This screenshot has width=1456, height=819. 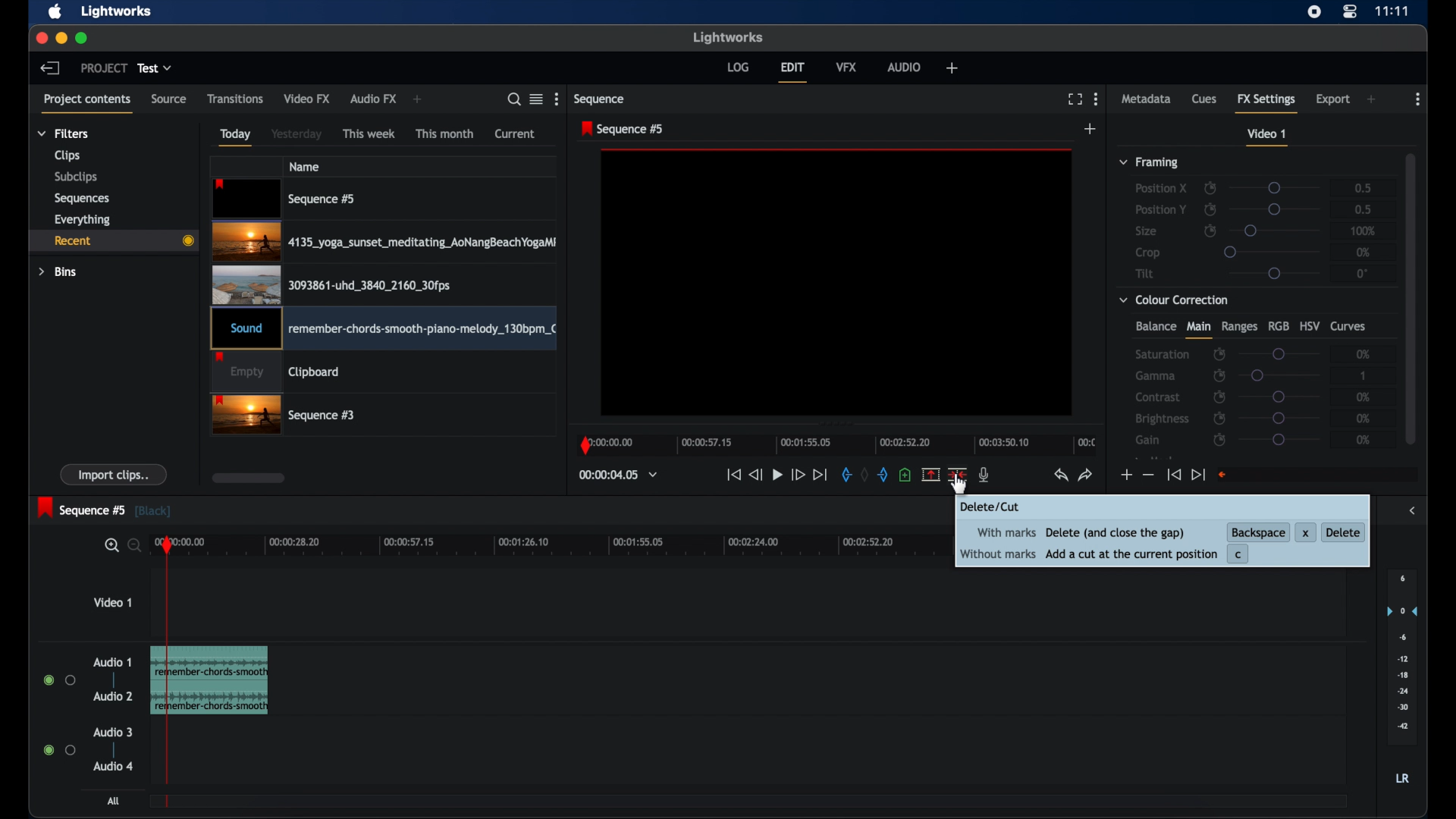 What do you see at coordinates (514, 99) in the screenshot?
I see `search` at bounding box center [514, 99].